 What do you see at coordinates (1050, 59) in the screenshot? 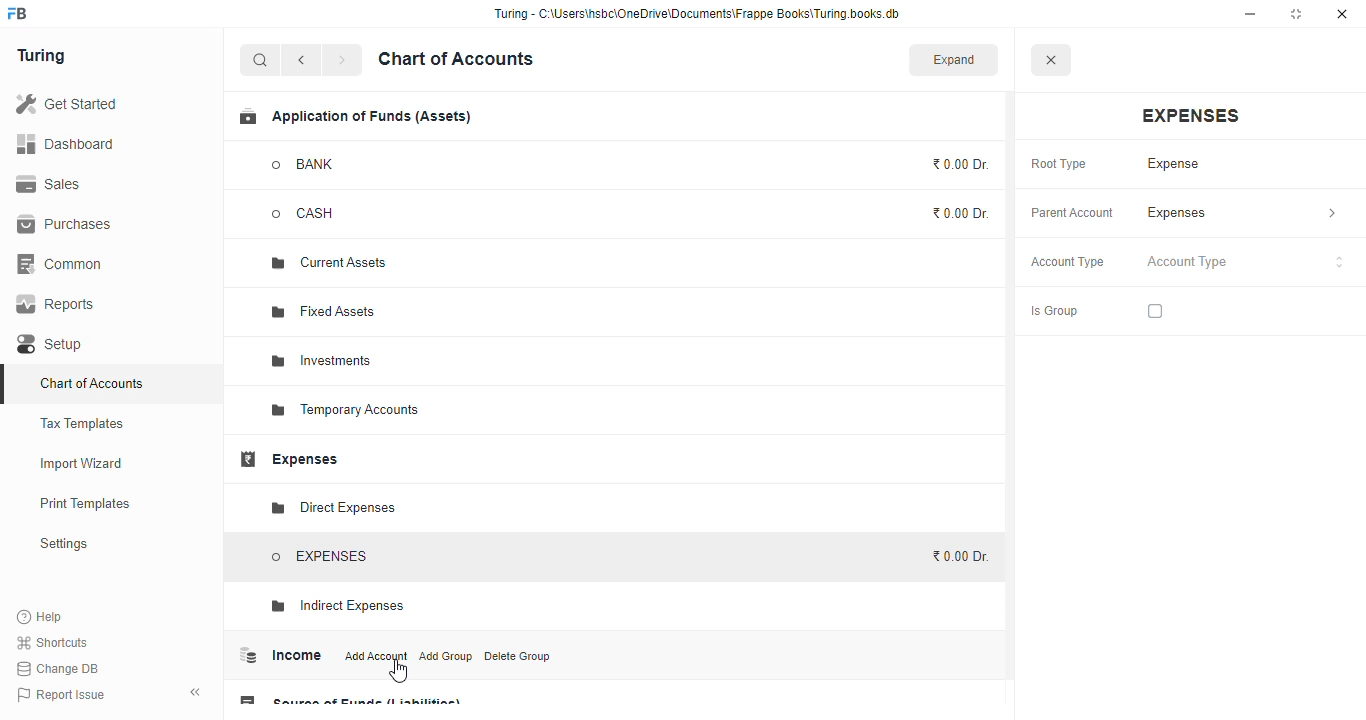
I see `close` at bounding box center [1050, 59].